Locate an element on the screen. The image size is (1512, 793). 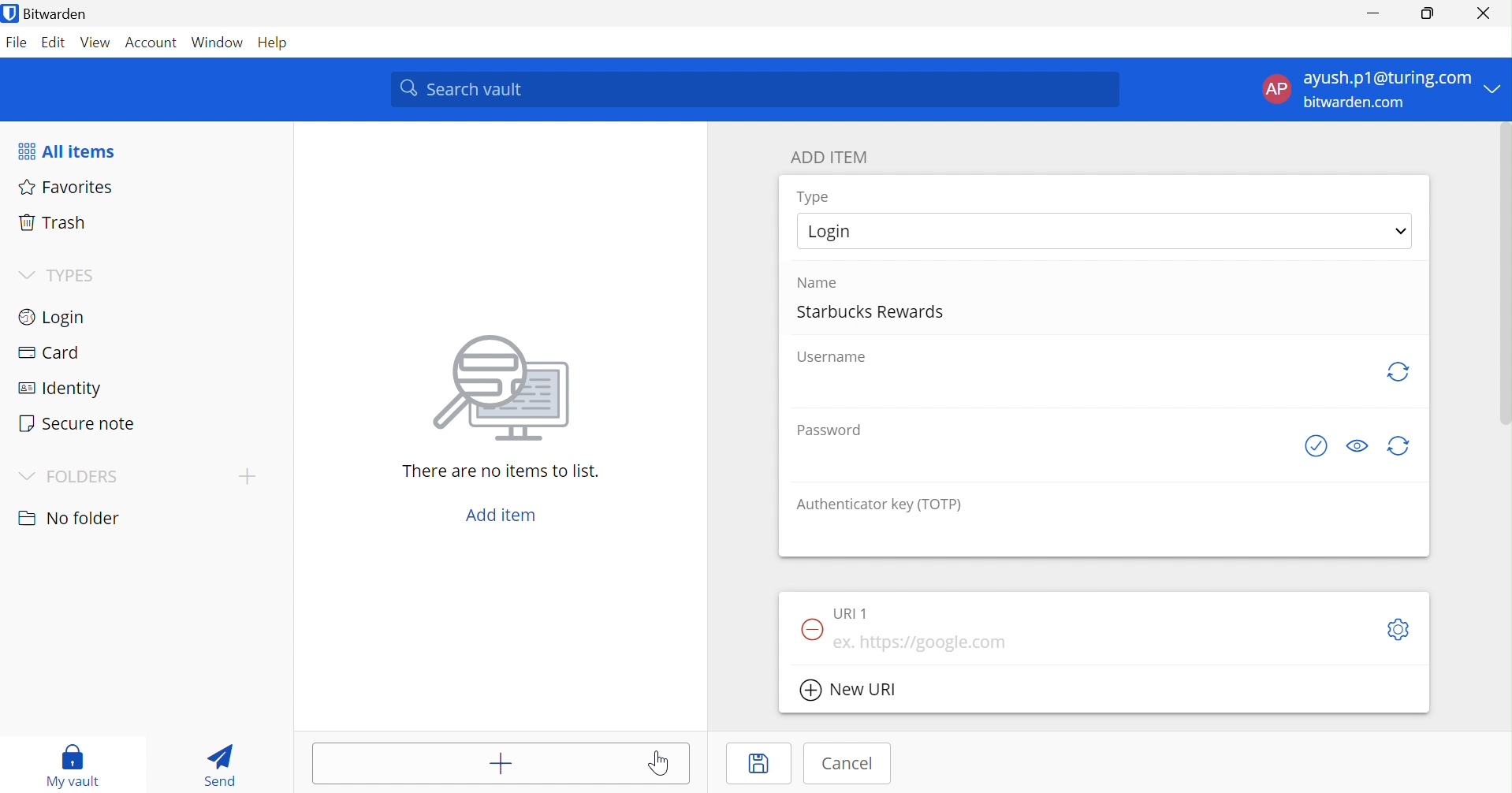
Card is located at coordinates (50, 352).